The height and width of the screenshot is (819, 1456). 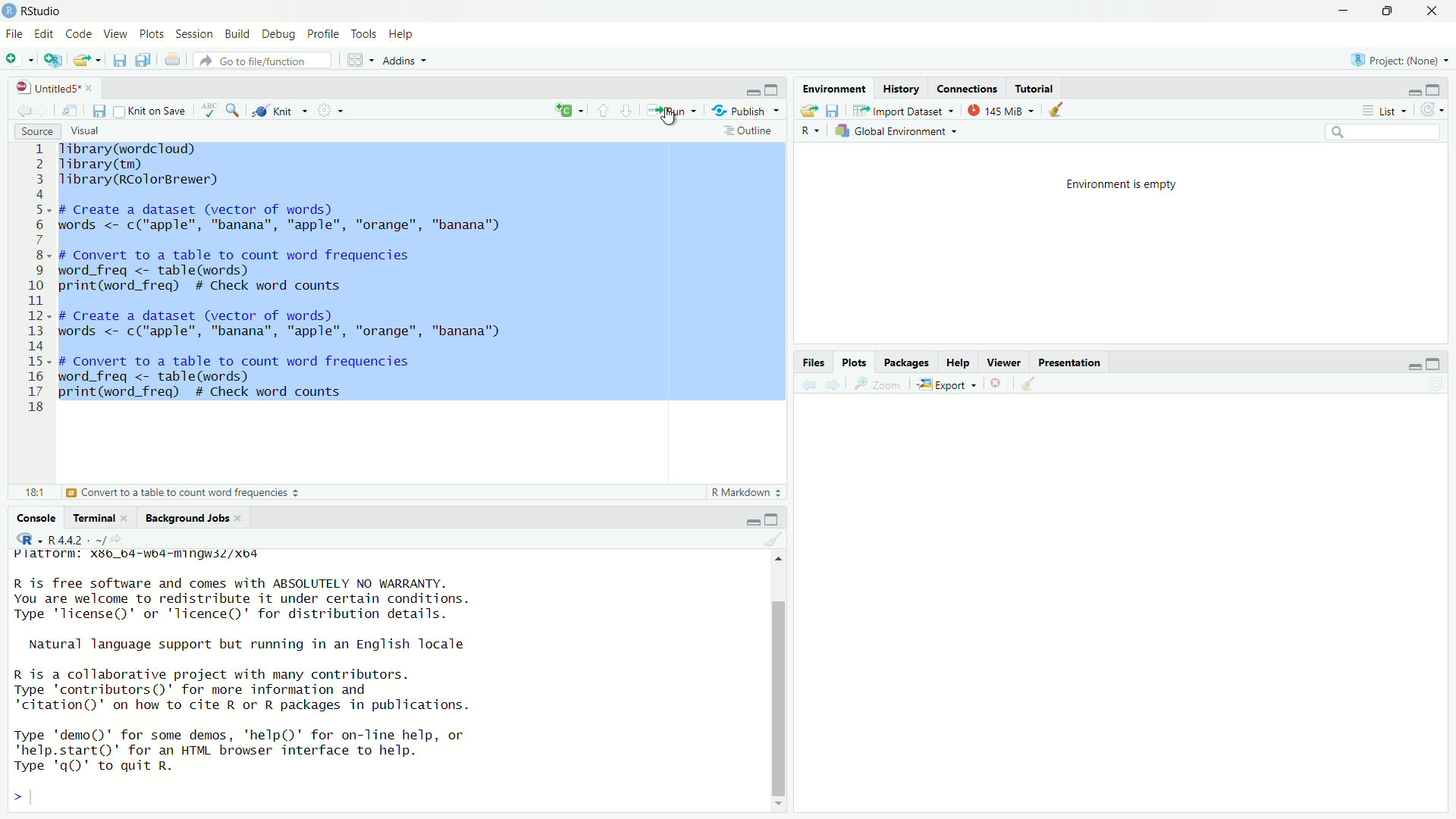 What do you see at coordinates (969, 89) in the screenshot?
I see `Connections` at bounding box center [969, 89].